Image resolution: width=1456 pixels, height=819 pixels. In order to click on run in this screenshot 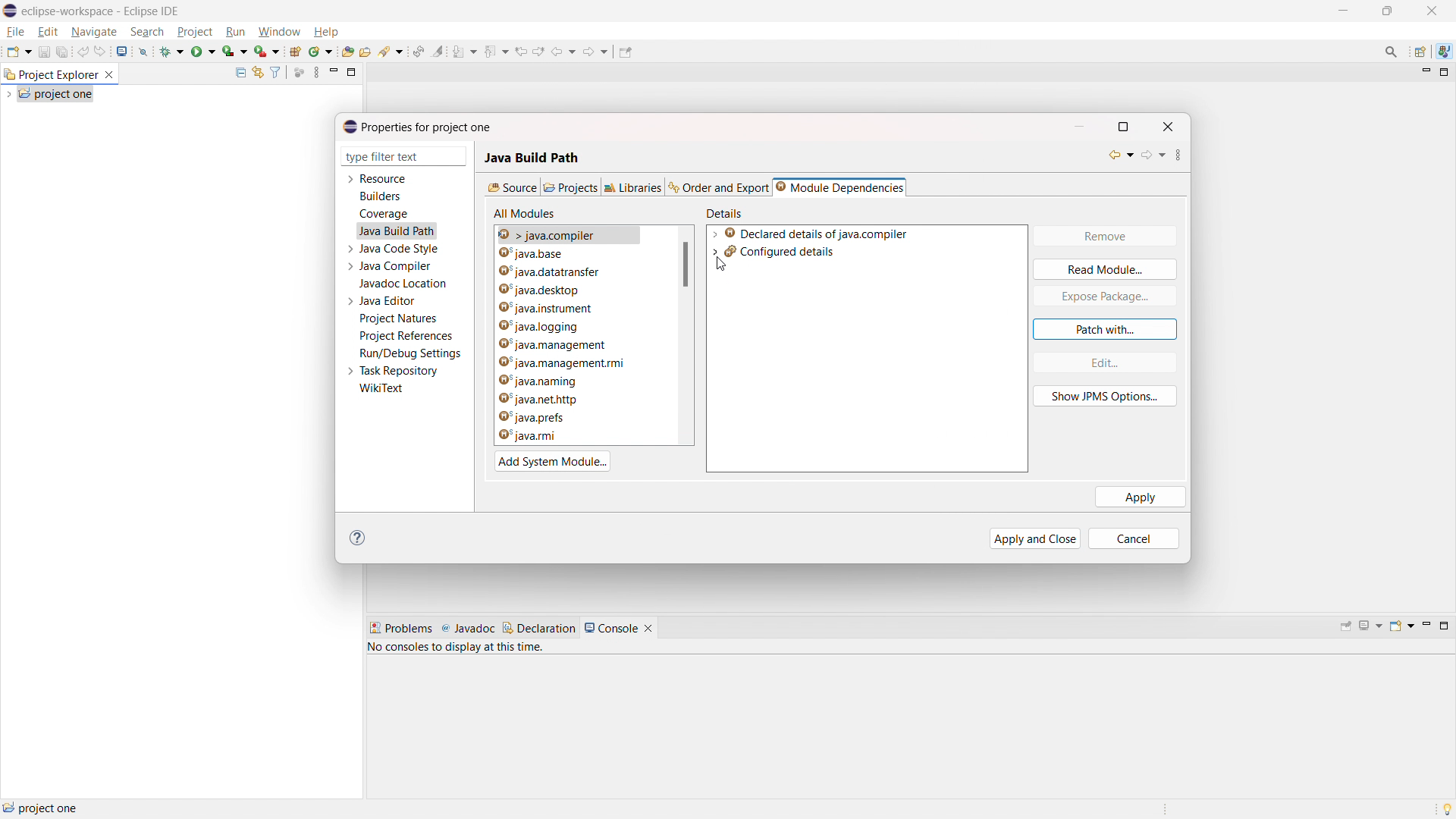, I will do `click(203, 50)`.